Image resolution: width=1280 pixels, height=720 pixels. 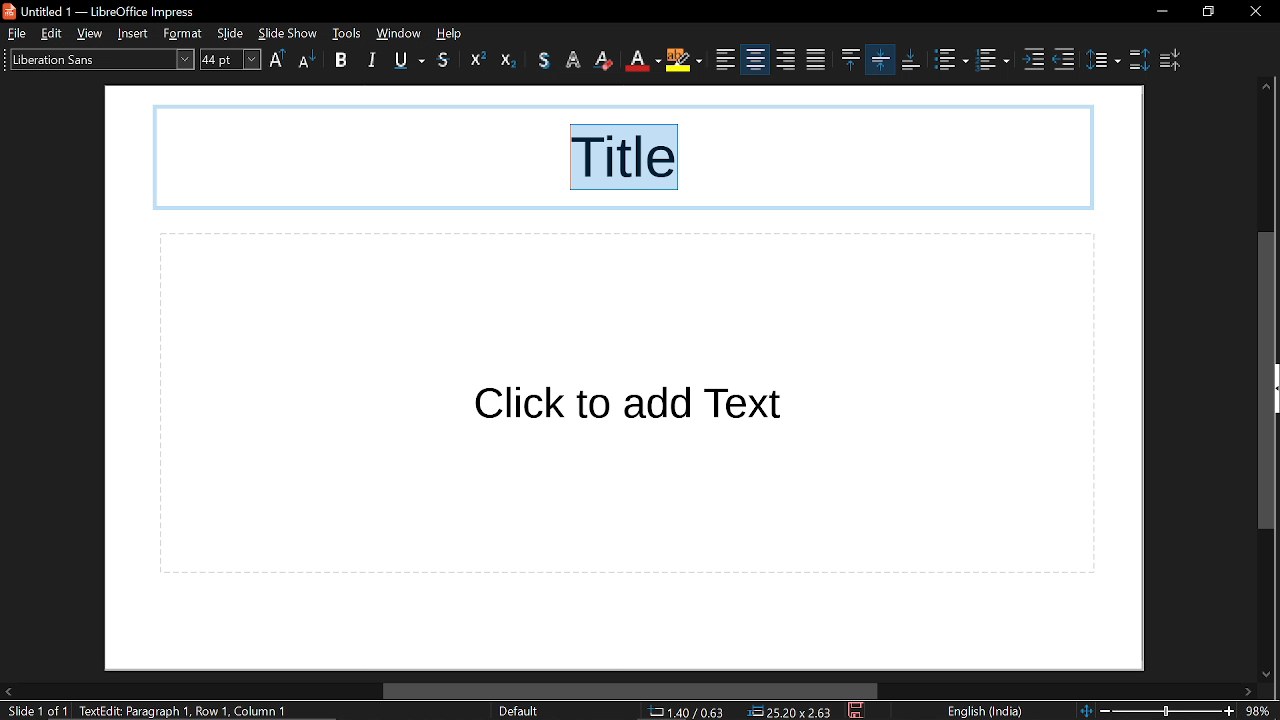 What do you see at coordinates (1083, 709) in the screenshot?
I see `fit to page` at bounding box center [1083, 709].